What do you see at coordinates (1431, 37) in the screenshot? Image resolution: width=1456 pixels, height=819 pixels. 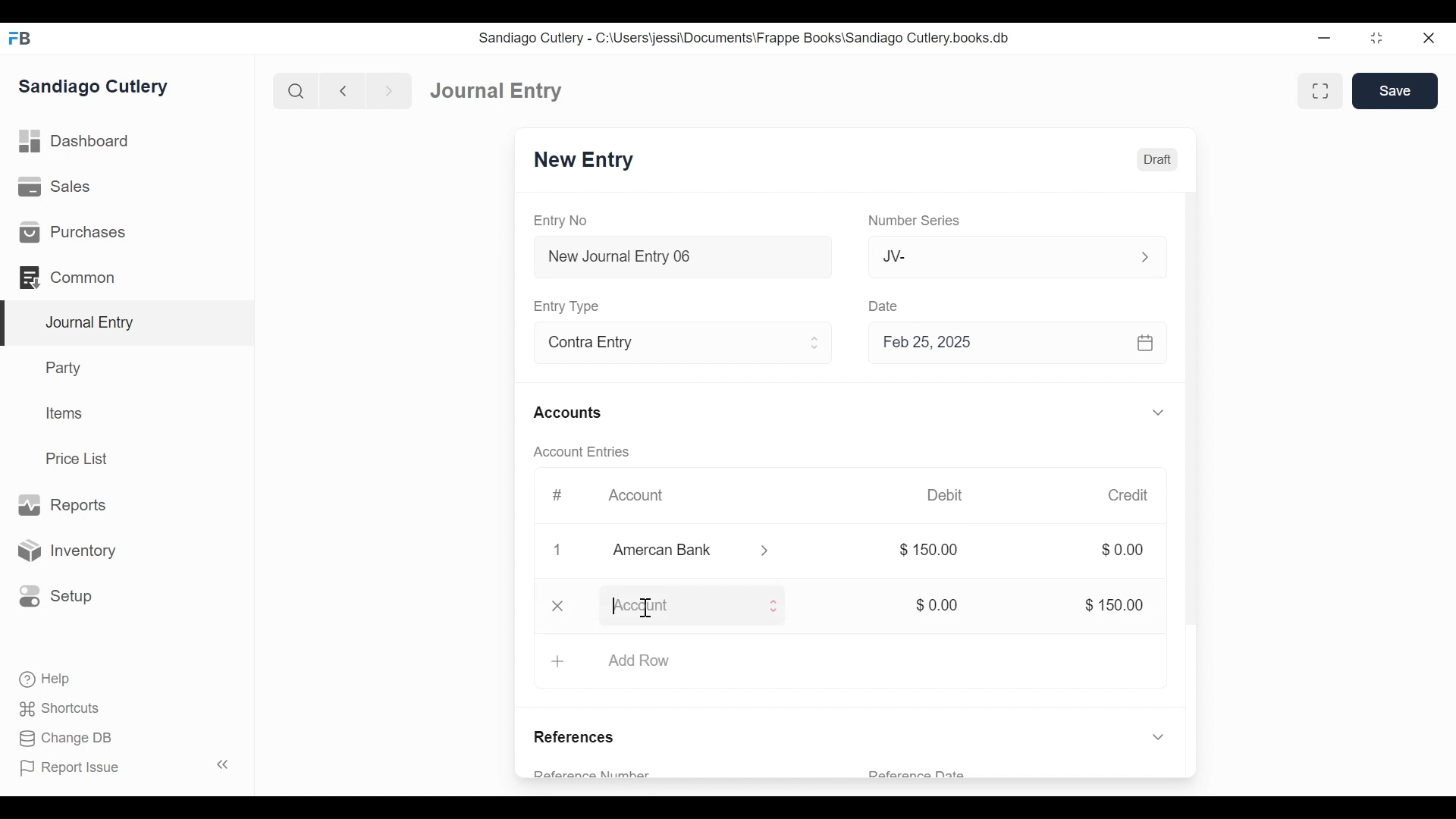 I see `Close` at bounding box center [1431, 37].